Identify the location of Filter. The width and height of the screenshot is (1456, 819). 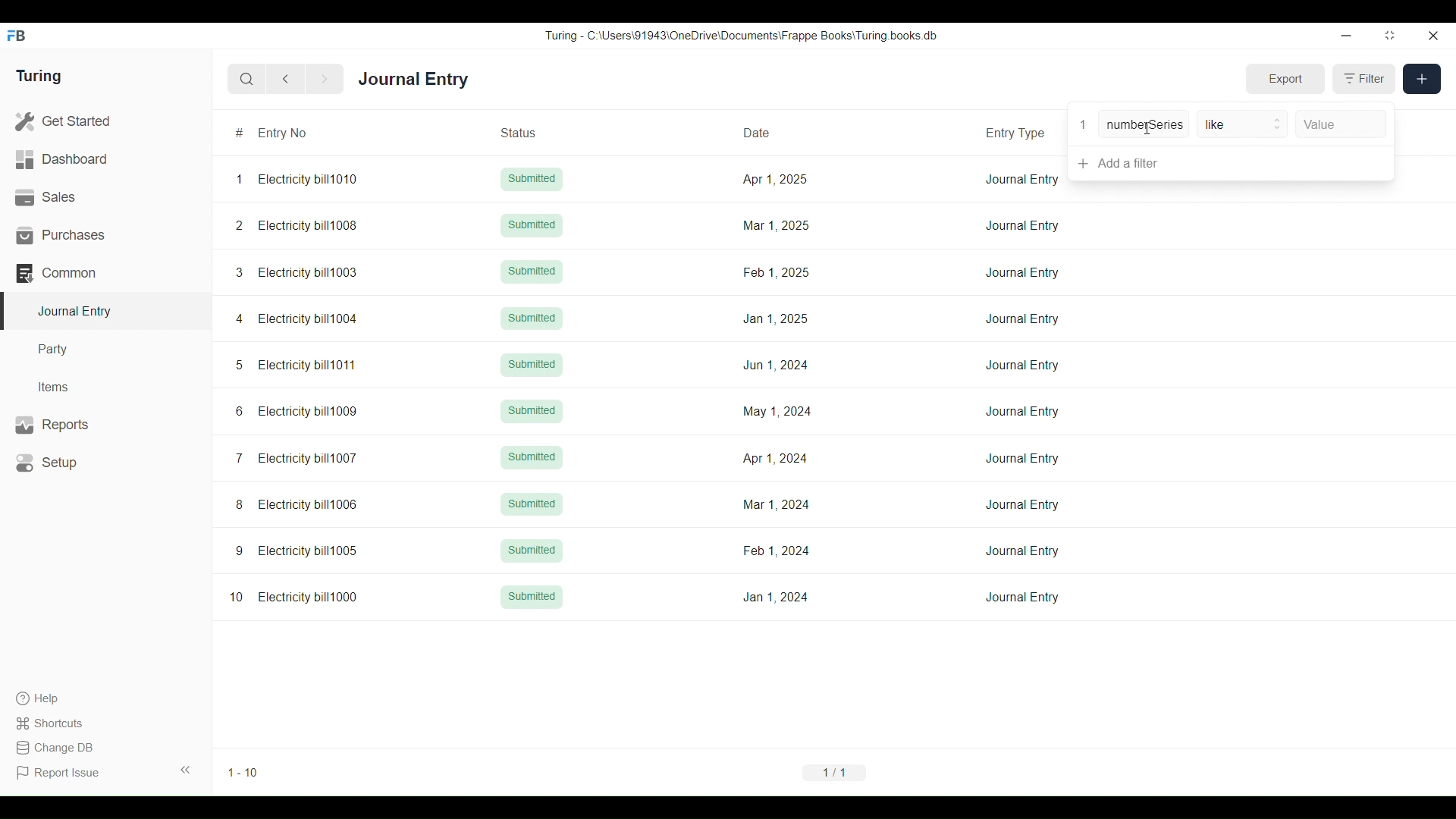
(1364, 79).